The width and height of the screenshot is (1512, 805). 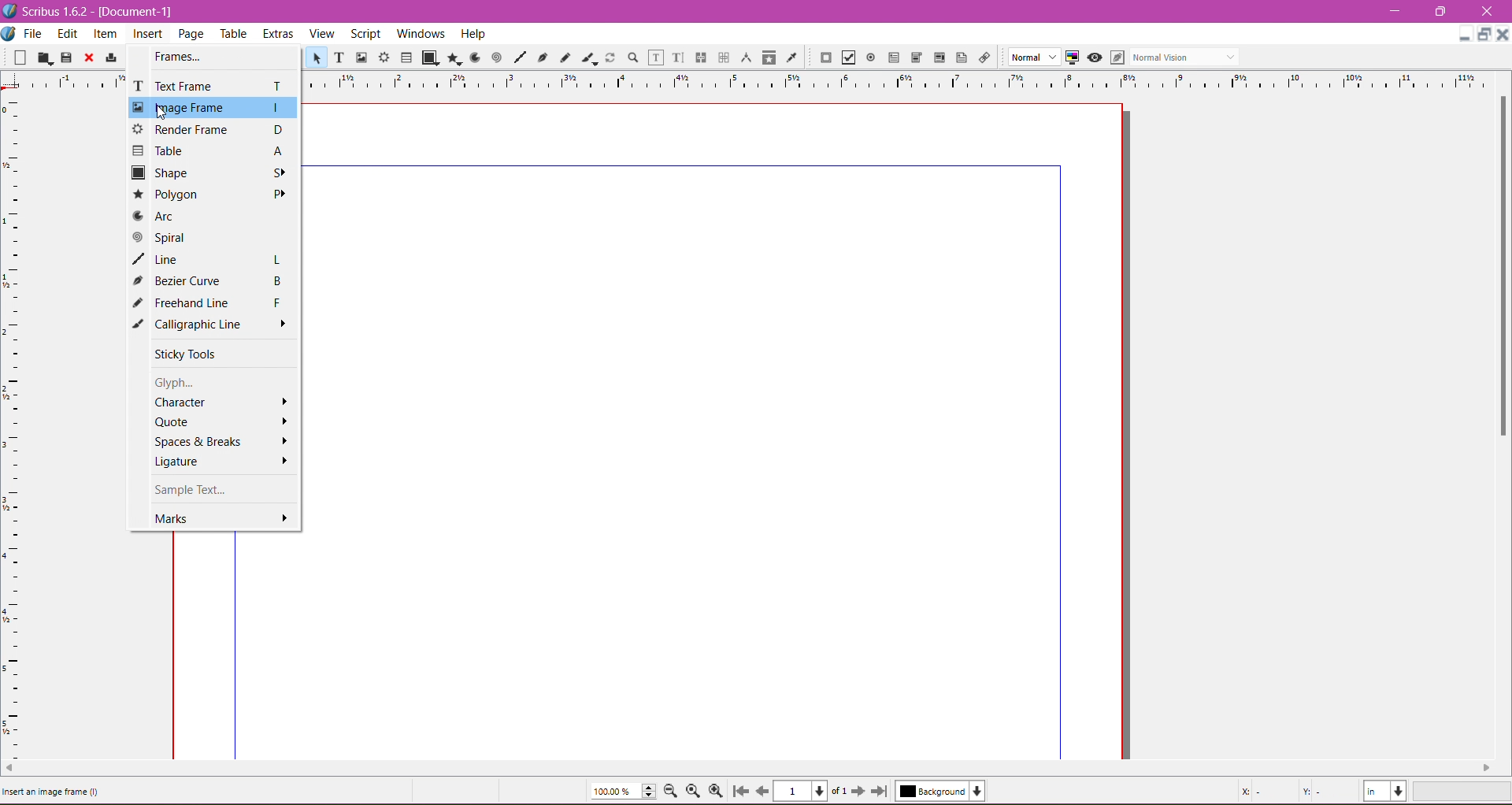 I want to click on Line, so click(x=213, y=258).